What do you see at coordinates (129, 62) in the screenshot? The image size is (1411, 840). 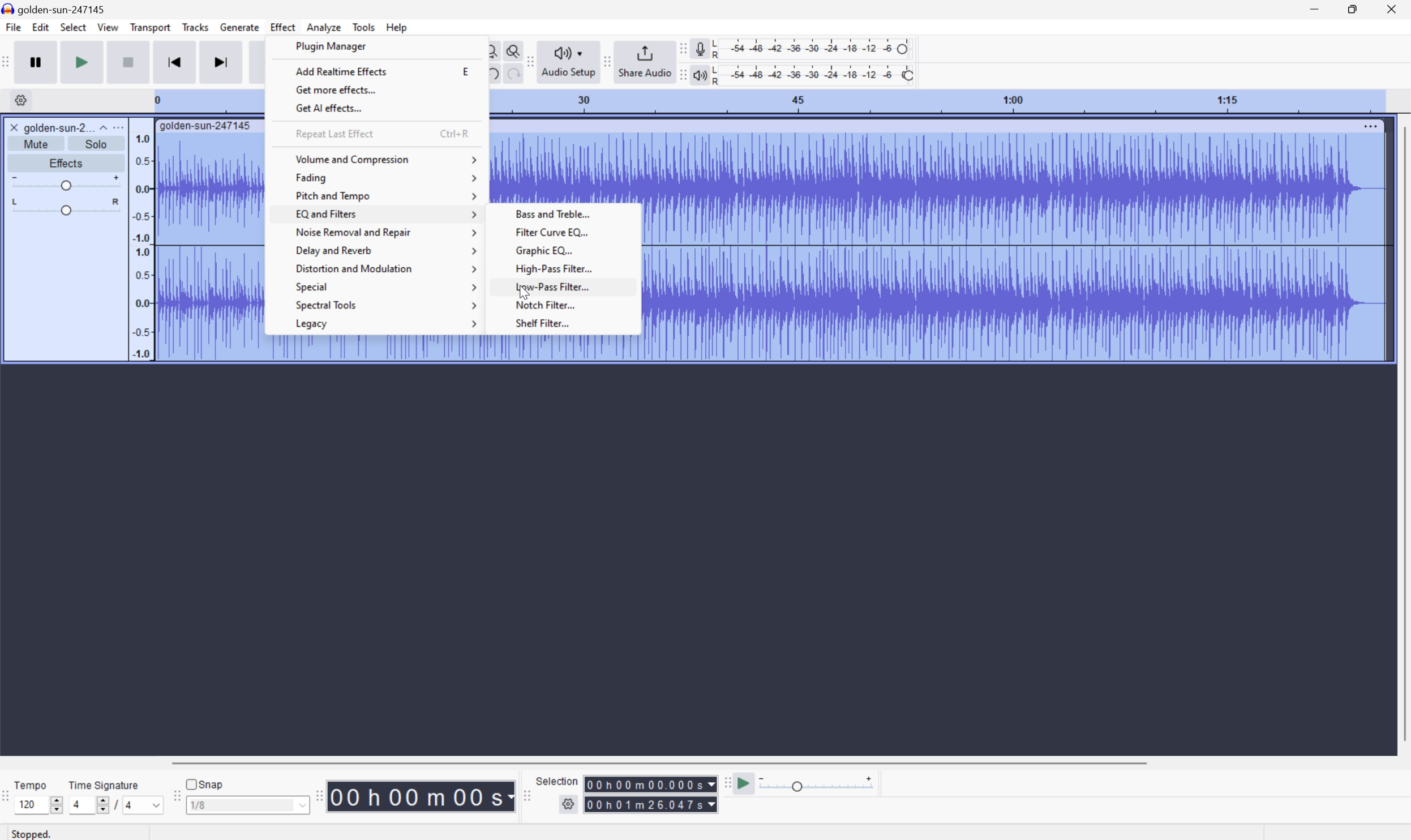 I see `Stop` at bounding box center [129, 62].